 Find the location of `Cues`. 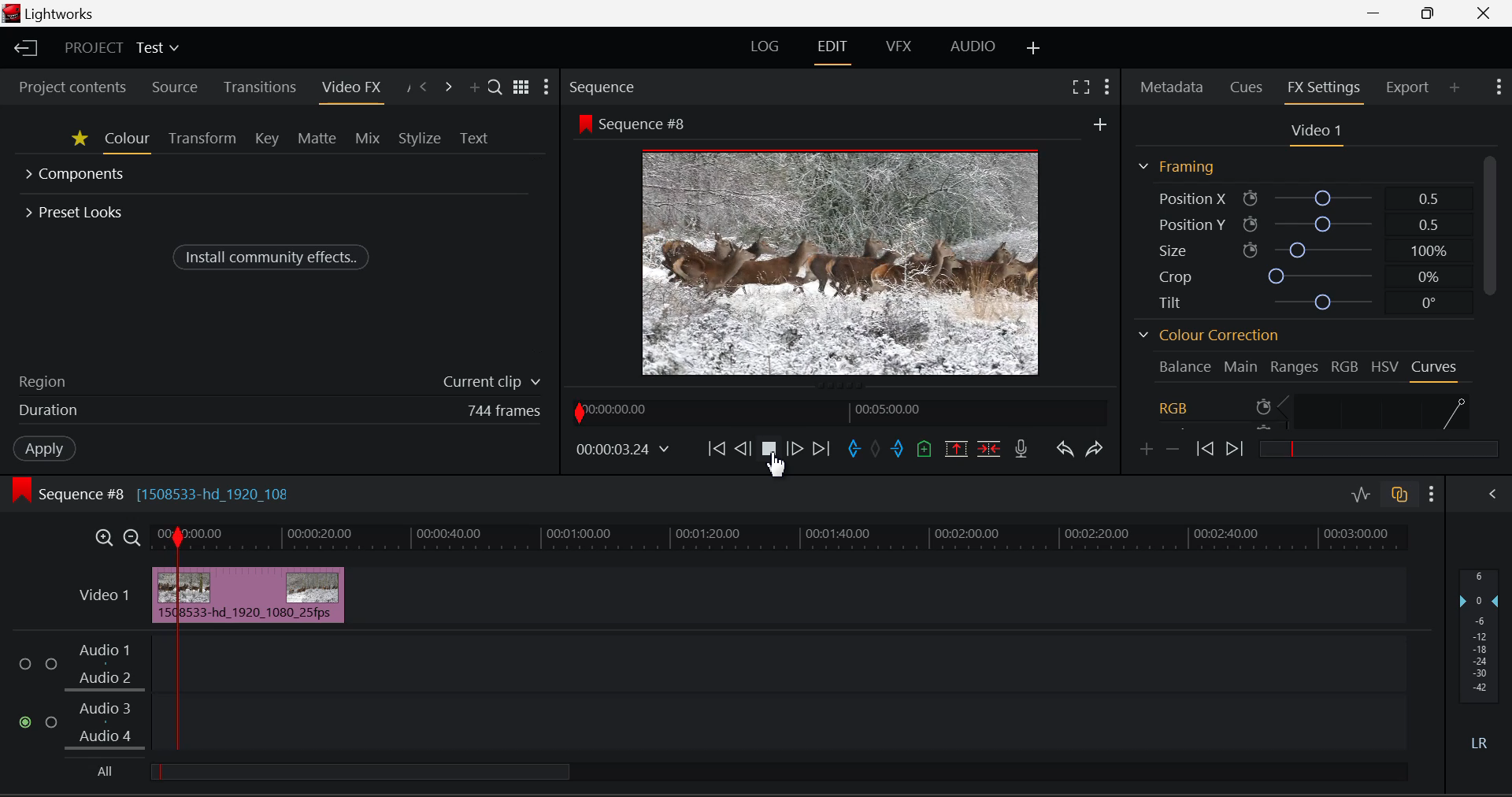

Cues is located at coordinates (1247, 87).